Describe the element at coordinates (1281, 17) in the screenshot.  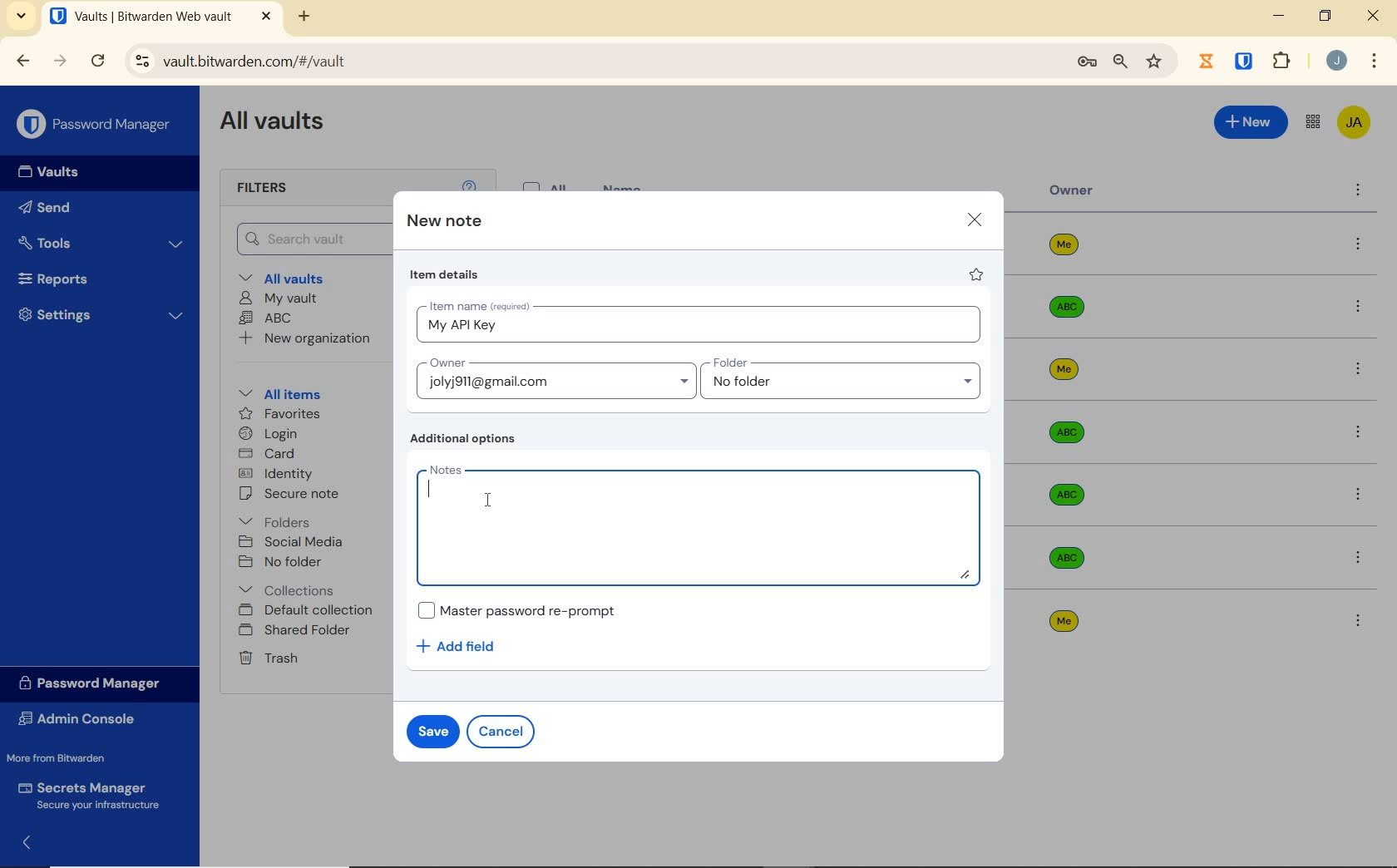
I see `MINIMIZE` at that location.